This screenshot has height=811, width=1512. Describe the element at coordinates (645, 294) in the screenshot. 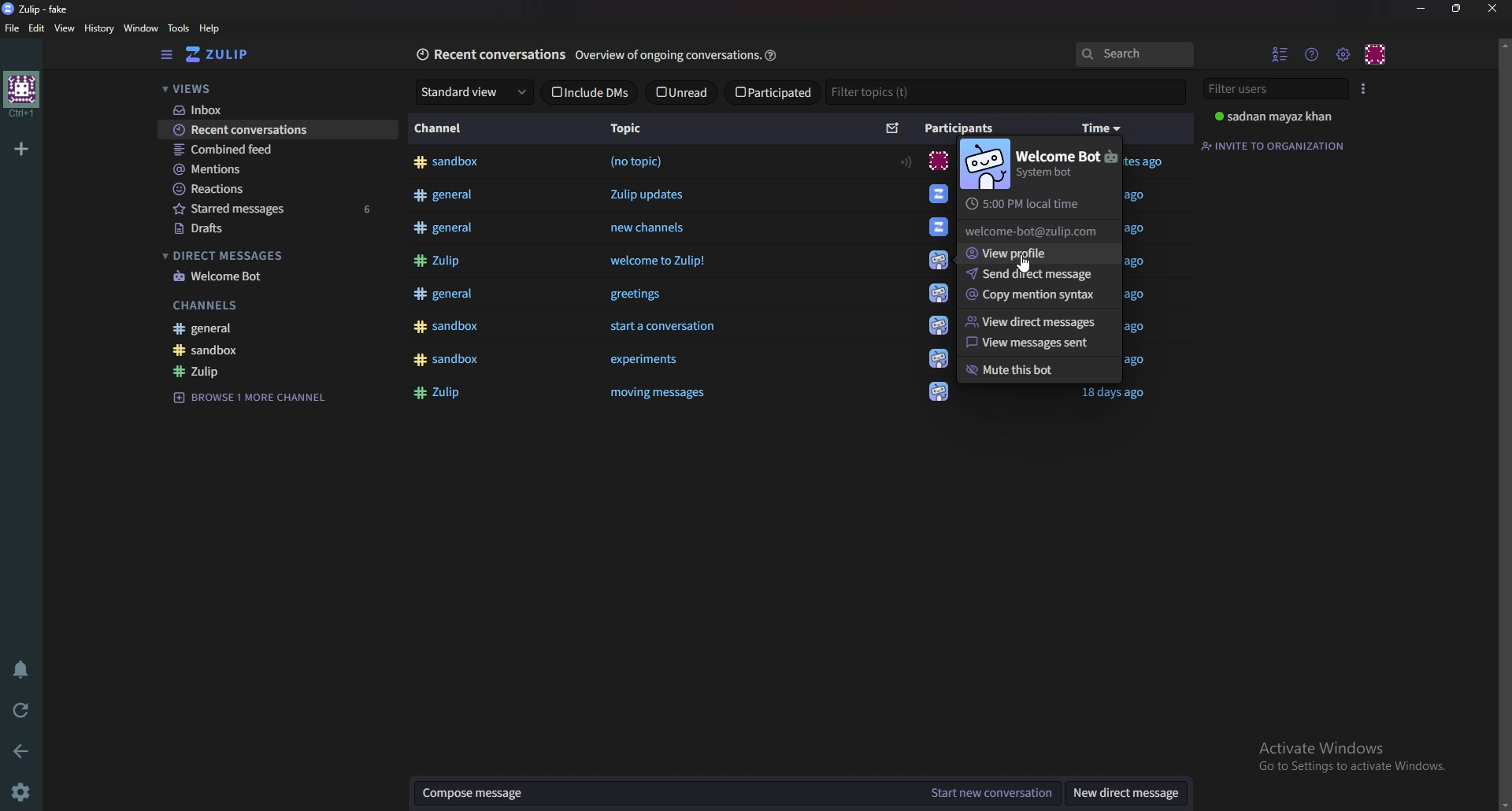

I see `greetings` at that location.